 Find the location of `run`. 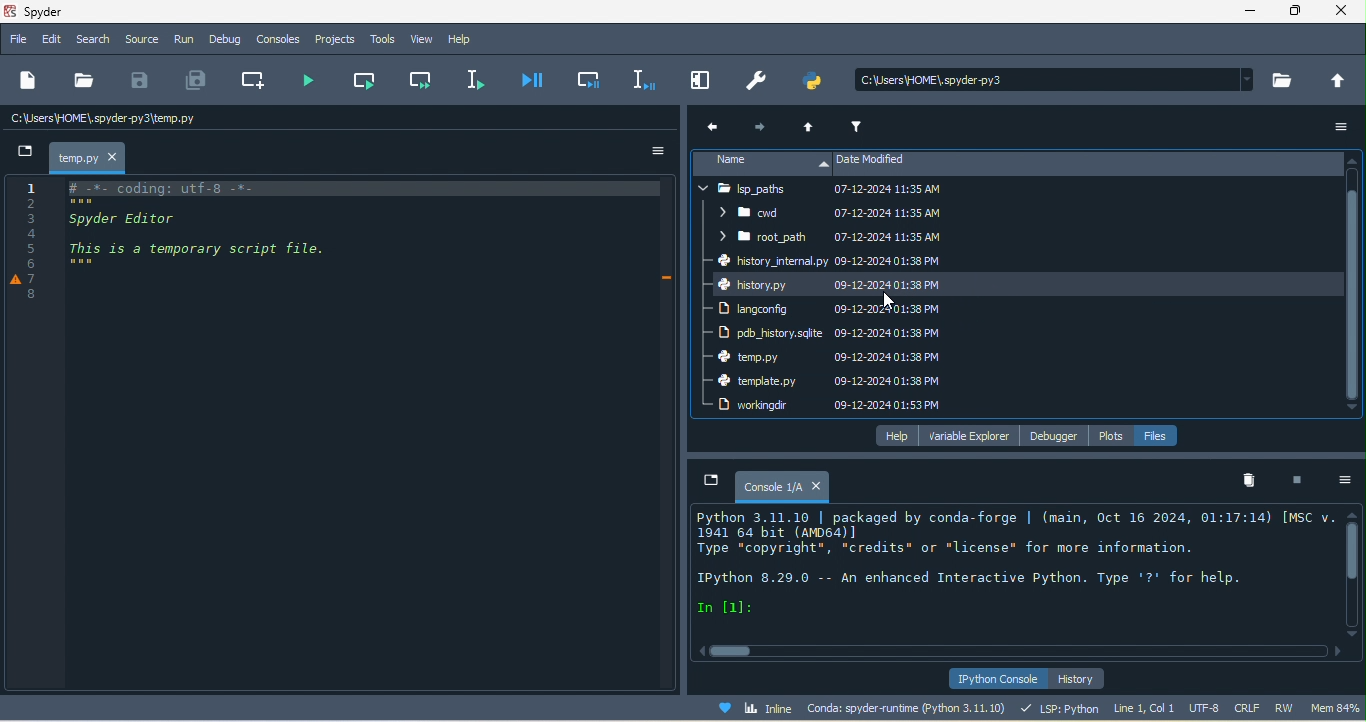

run is located at coordinates (181, 38).